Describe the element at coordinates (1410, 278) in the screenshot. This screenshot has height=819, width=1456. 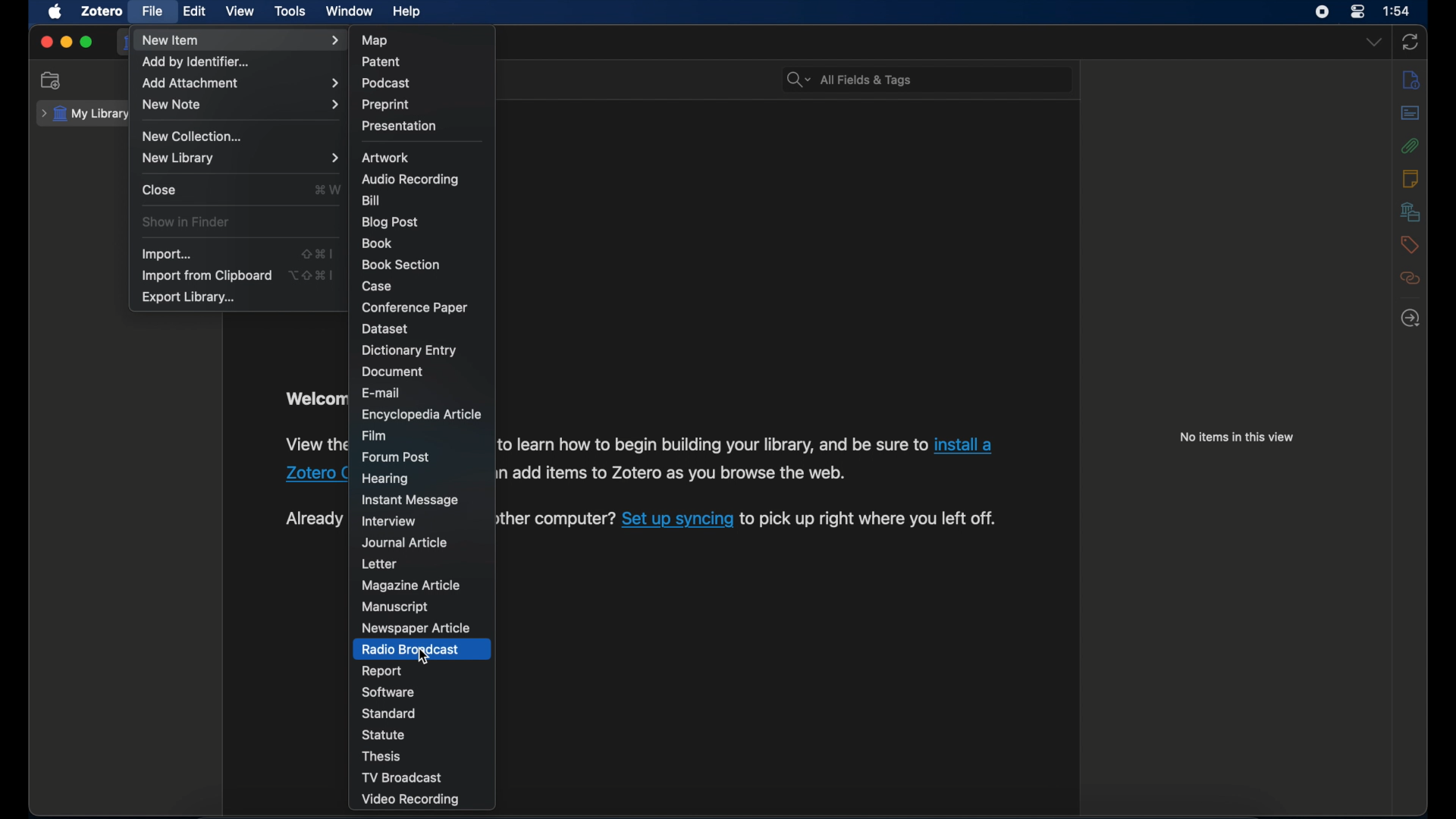
I see `related` at that location.